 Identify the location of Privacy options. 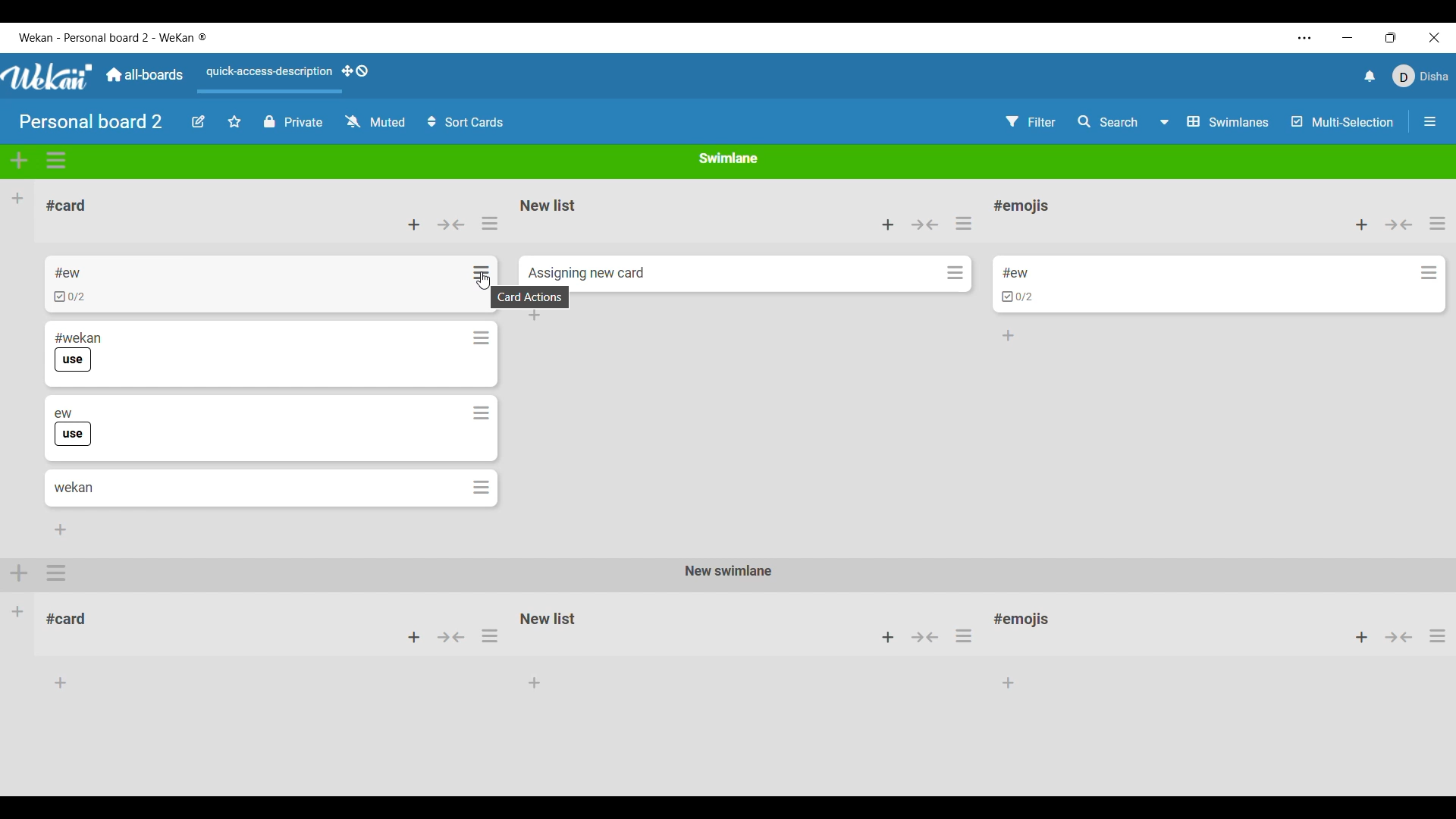
(293, 122).